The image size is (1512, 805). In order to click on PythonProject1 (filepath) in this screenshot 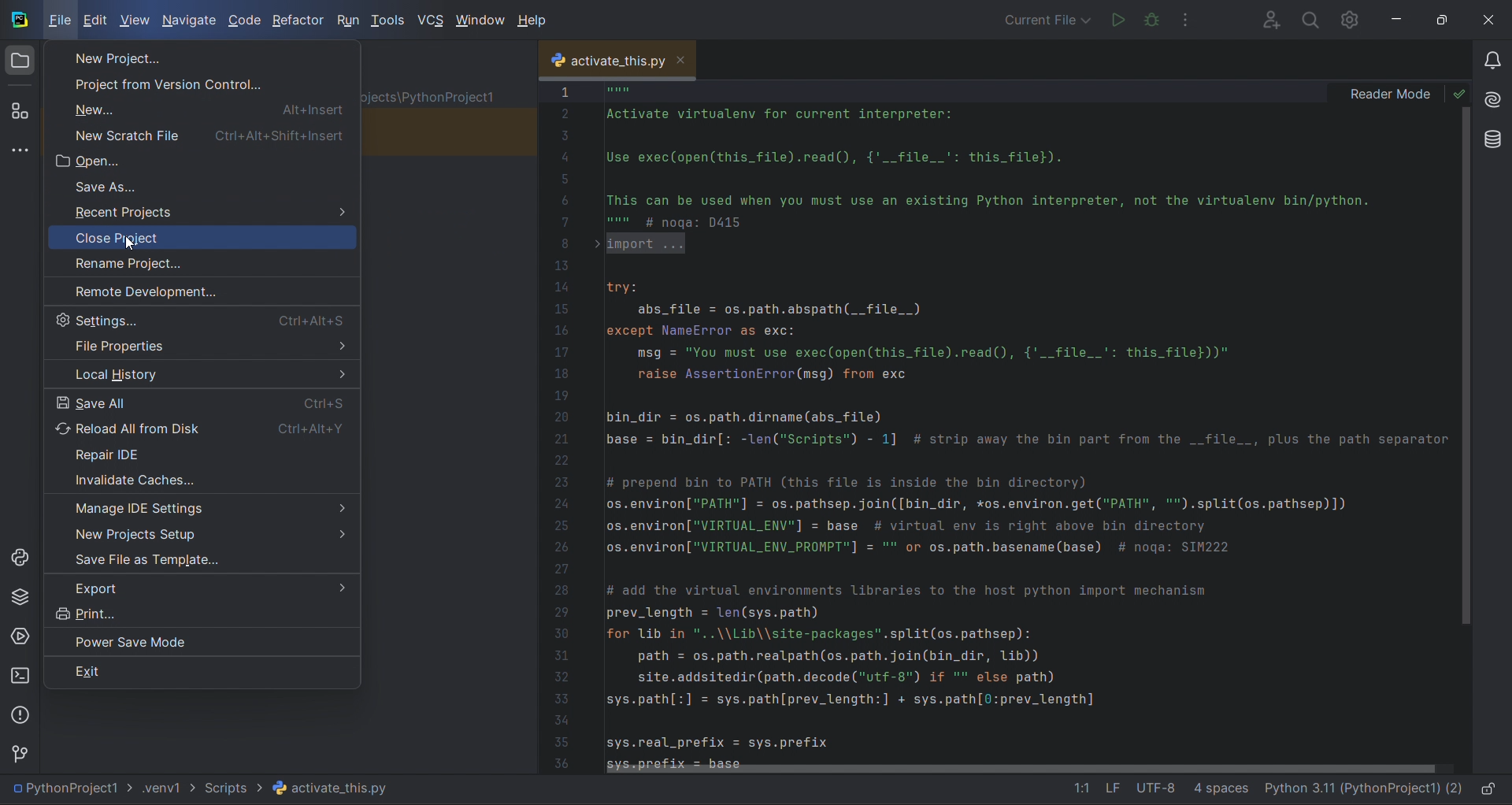, I will do `click(202, 790)`.